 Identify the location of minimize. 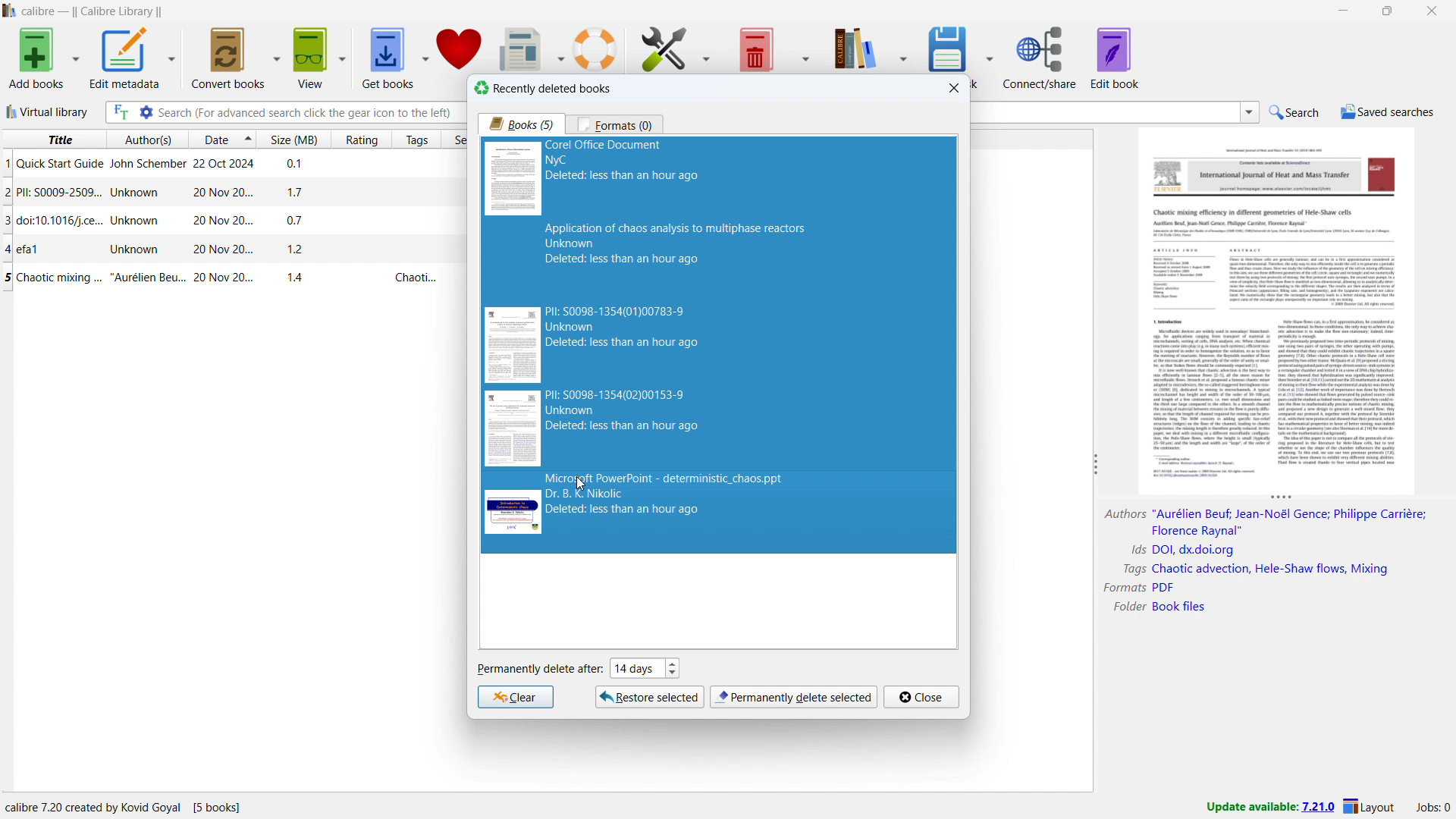
(1342, 11).